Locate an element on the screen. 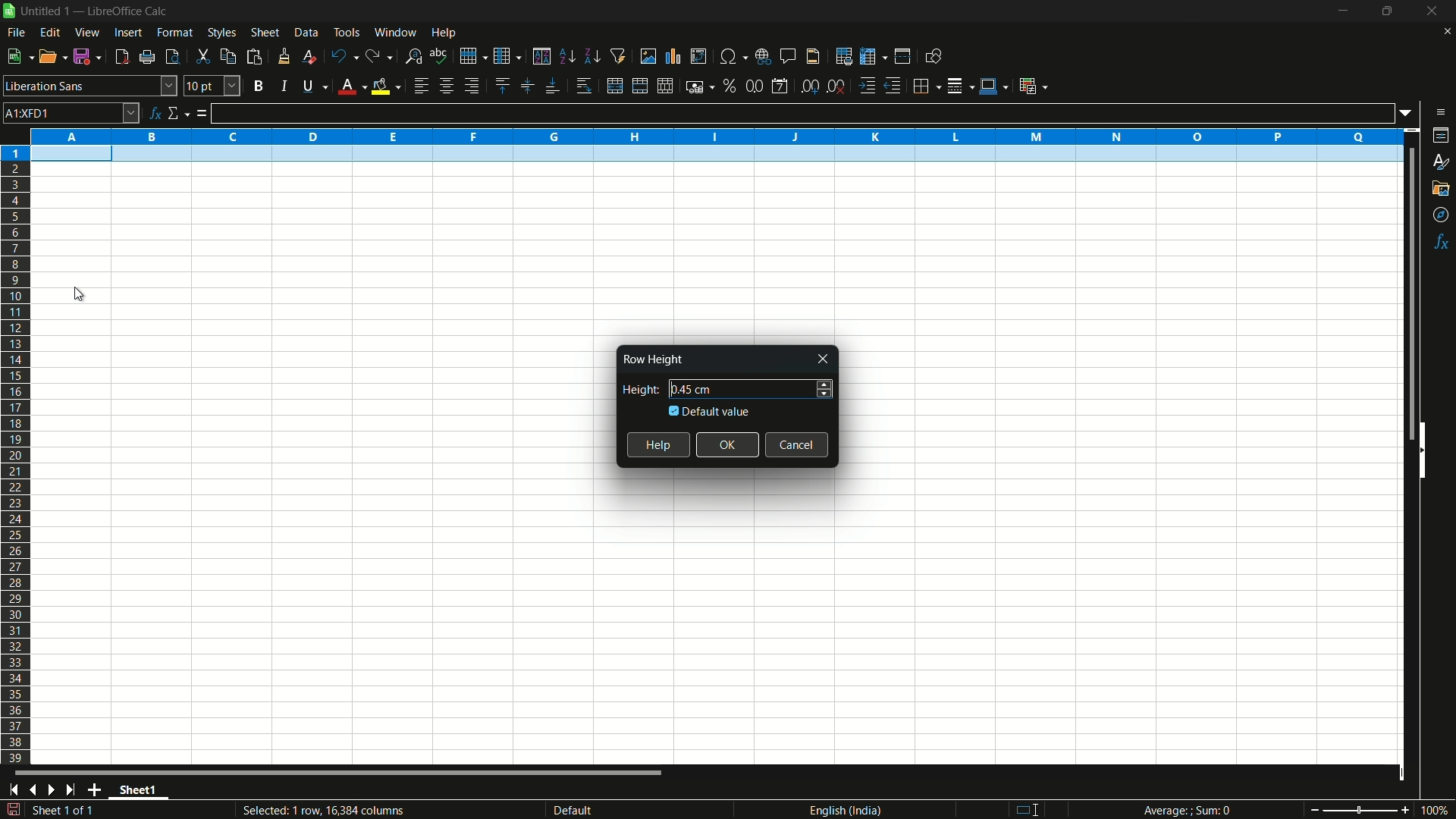  new file is located at coordinates (18, 56).